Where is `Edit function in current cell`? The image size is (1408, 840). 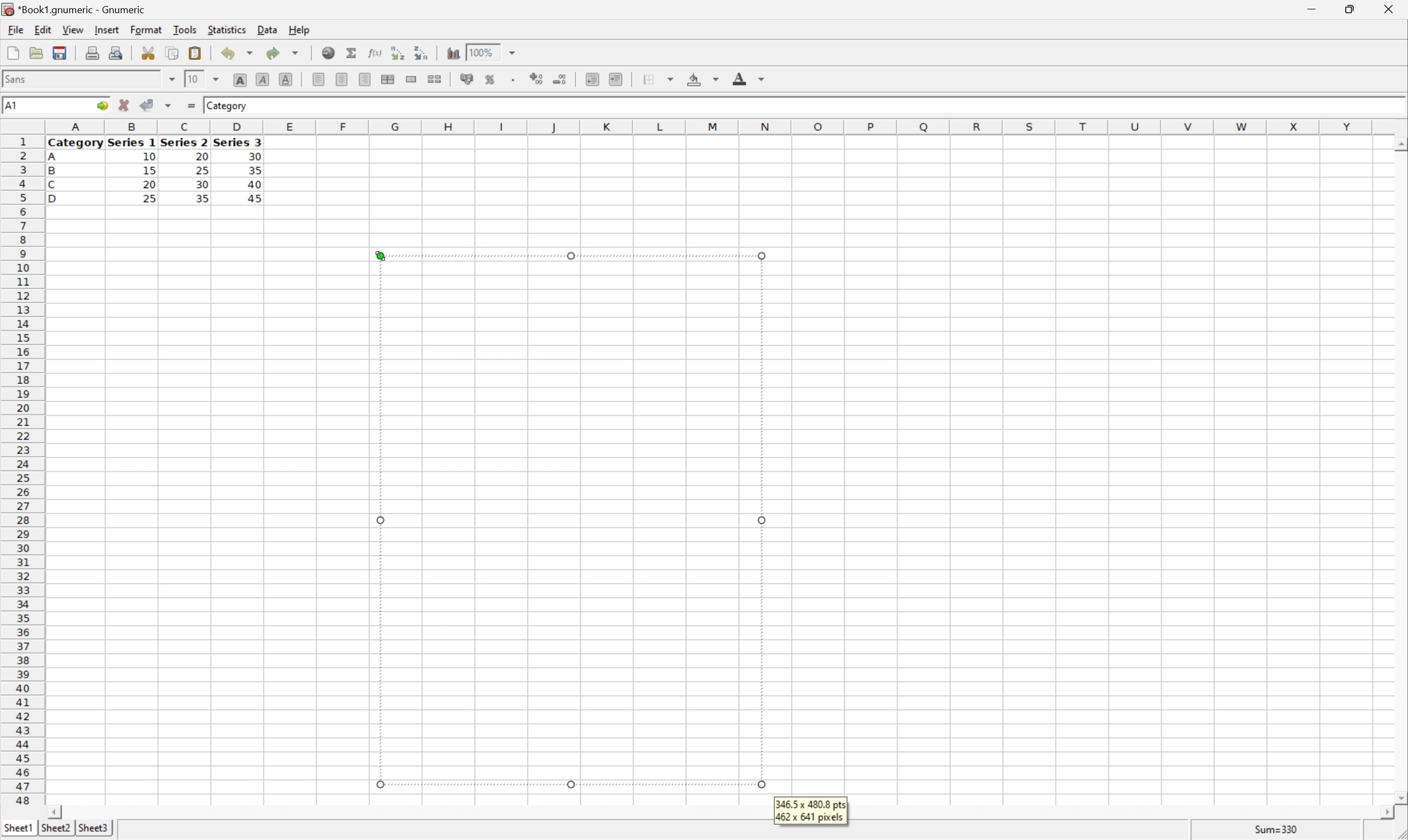 Edit function in current cell is located at coordinates (376, 53).